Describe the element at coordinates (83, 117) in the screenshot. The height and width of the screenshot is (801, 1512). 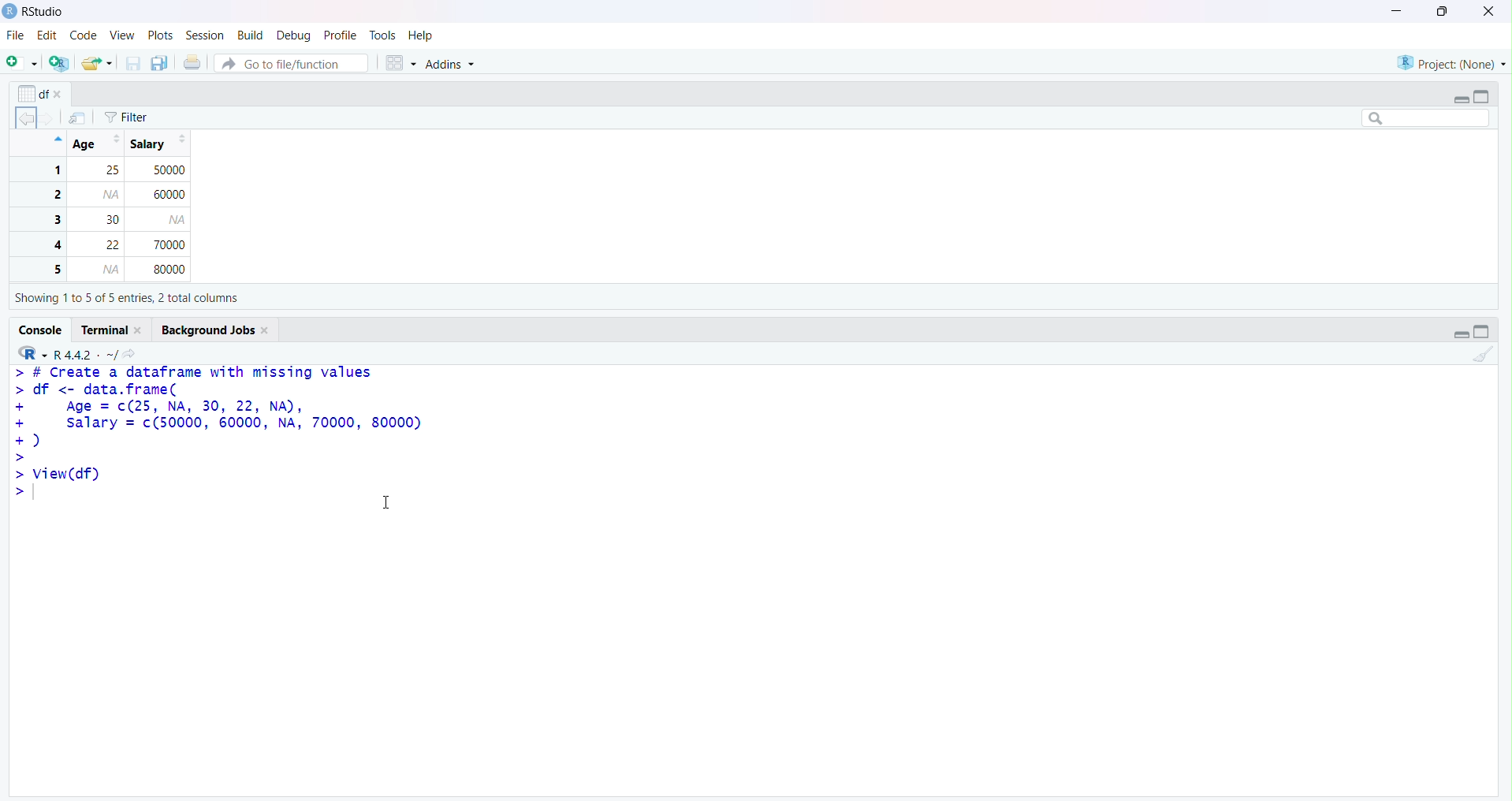
I see `Show in new window` at that location.